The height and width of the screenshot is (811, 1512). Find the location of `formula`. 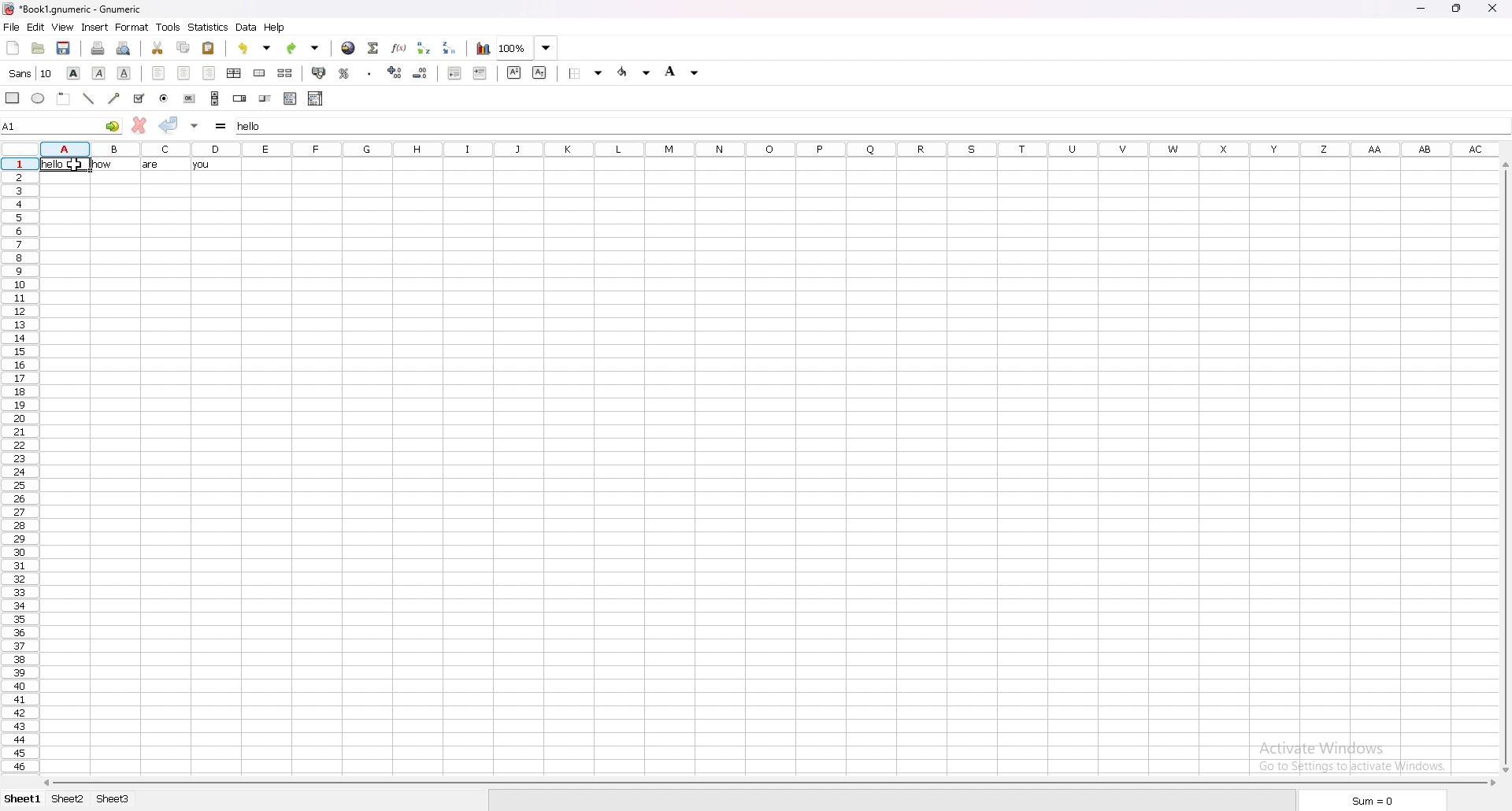

formula is located at coordinates (221, 125).